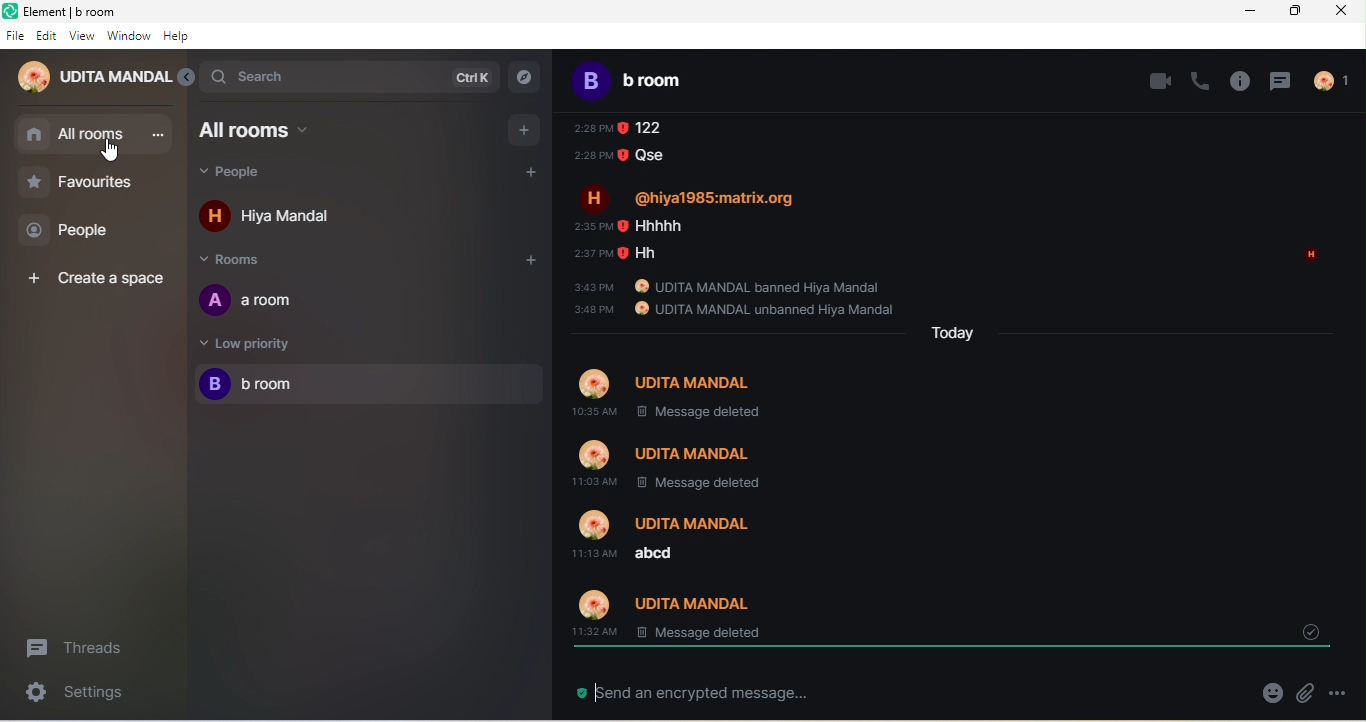 This screenshot has width=1366, height=722. I want to click on video call, so click(1148, 79).